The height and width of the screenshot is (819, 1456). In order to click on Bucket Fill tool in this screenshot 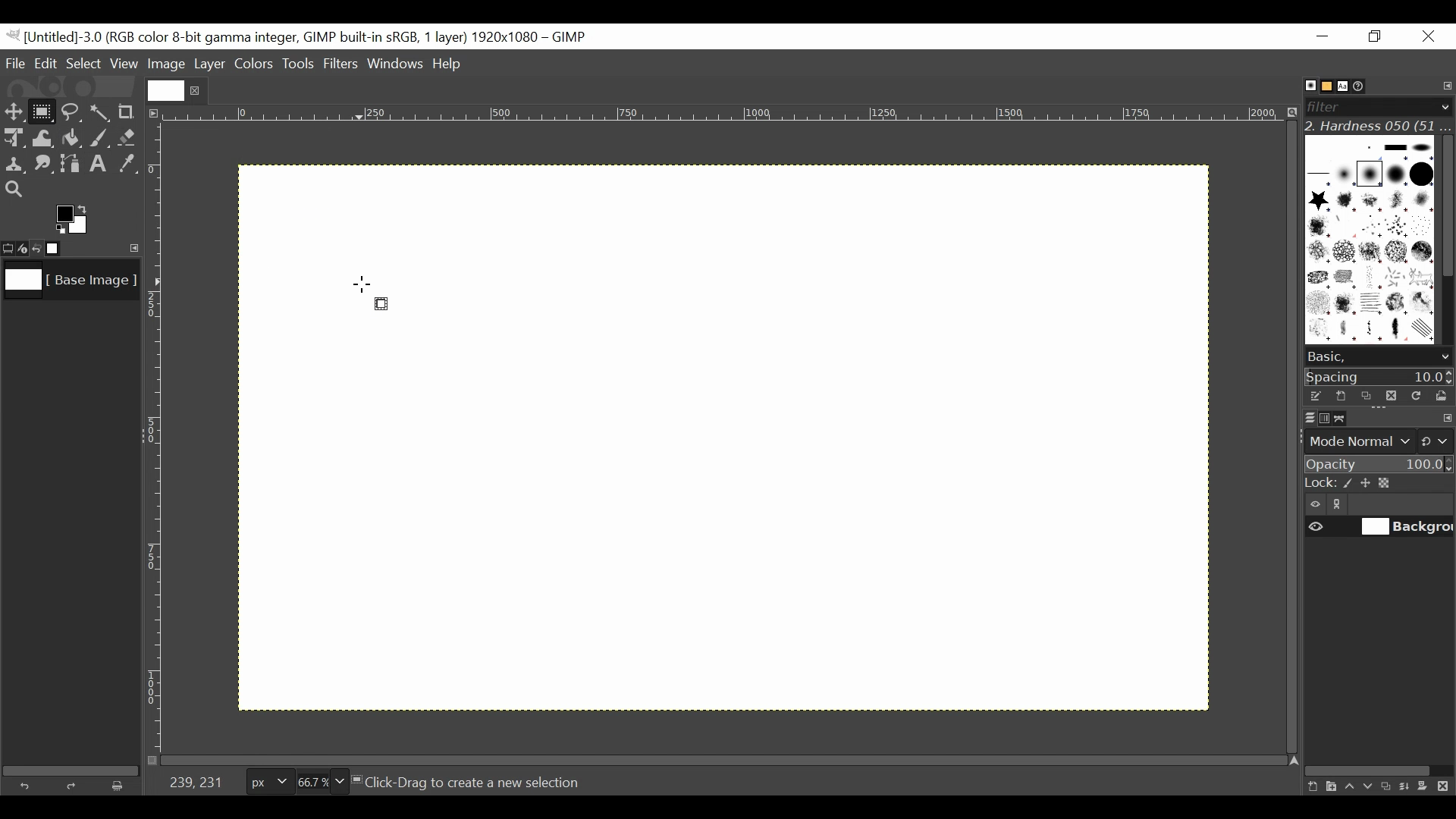, I will do `click(71, 139)`.